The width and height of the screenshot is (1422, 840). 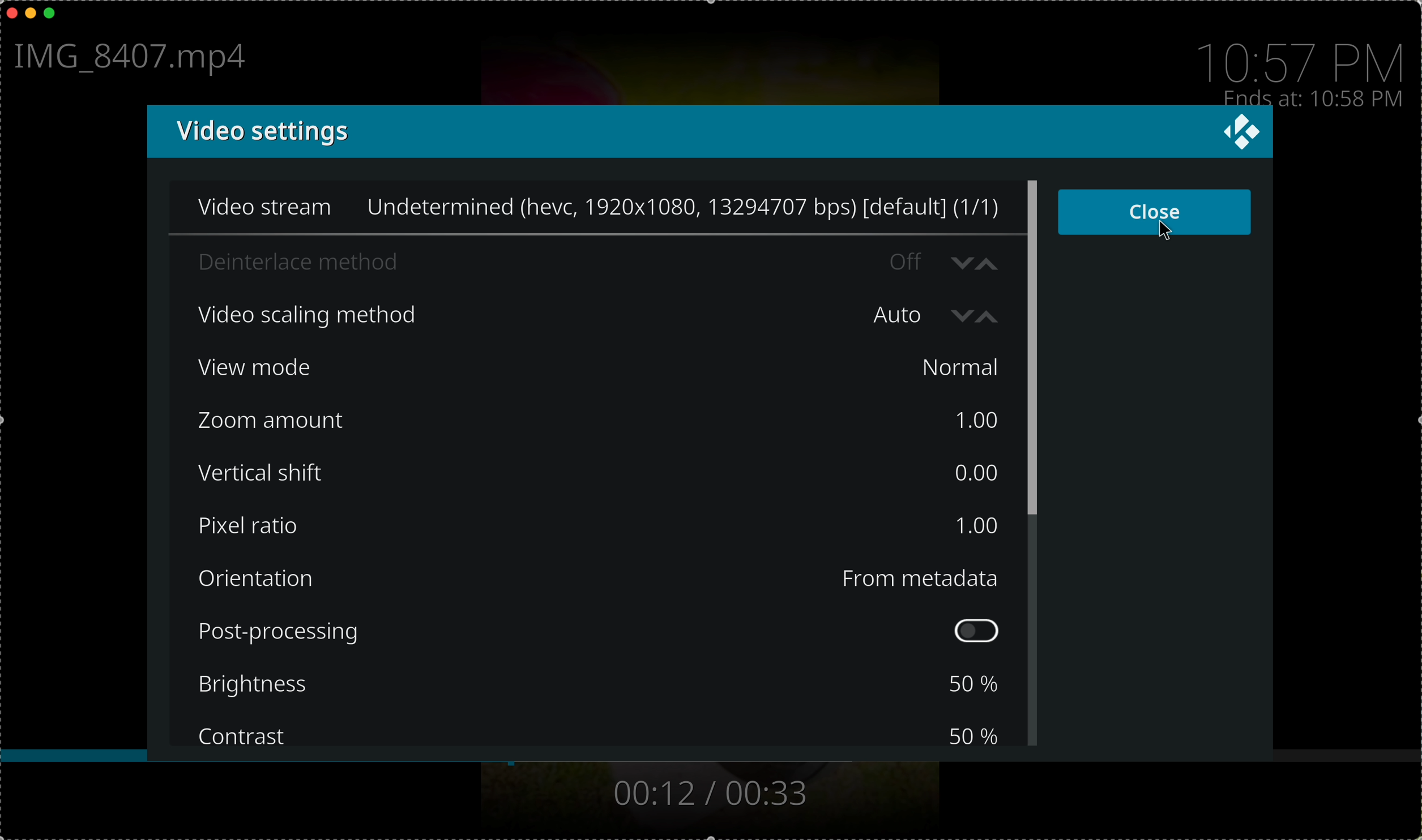 What do you see at coordinates (1313, 97) in the screenshot?
I see `ends at 10:58 PM` at bounding box center [1313, 97].